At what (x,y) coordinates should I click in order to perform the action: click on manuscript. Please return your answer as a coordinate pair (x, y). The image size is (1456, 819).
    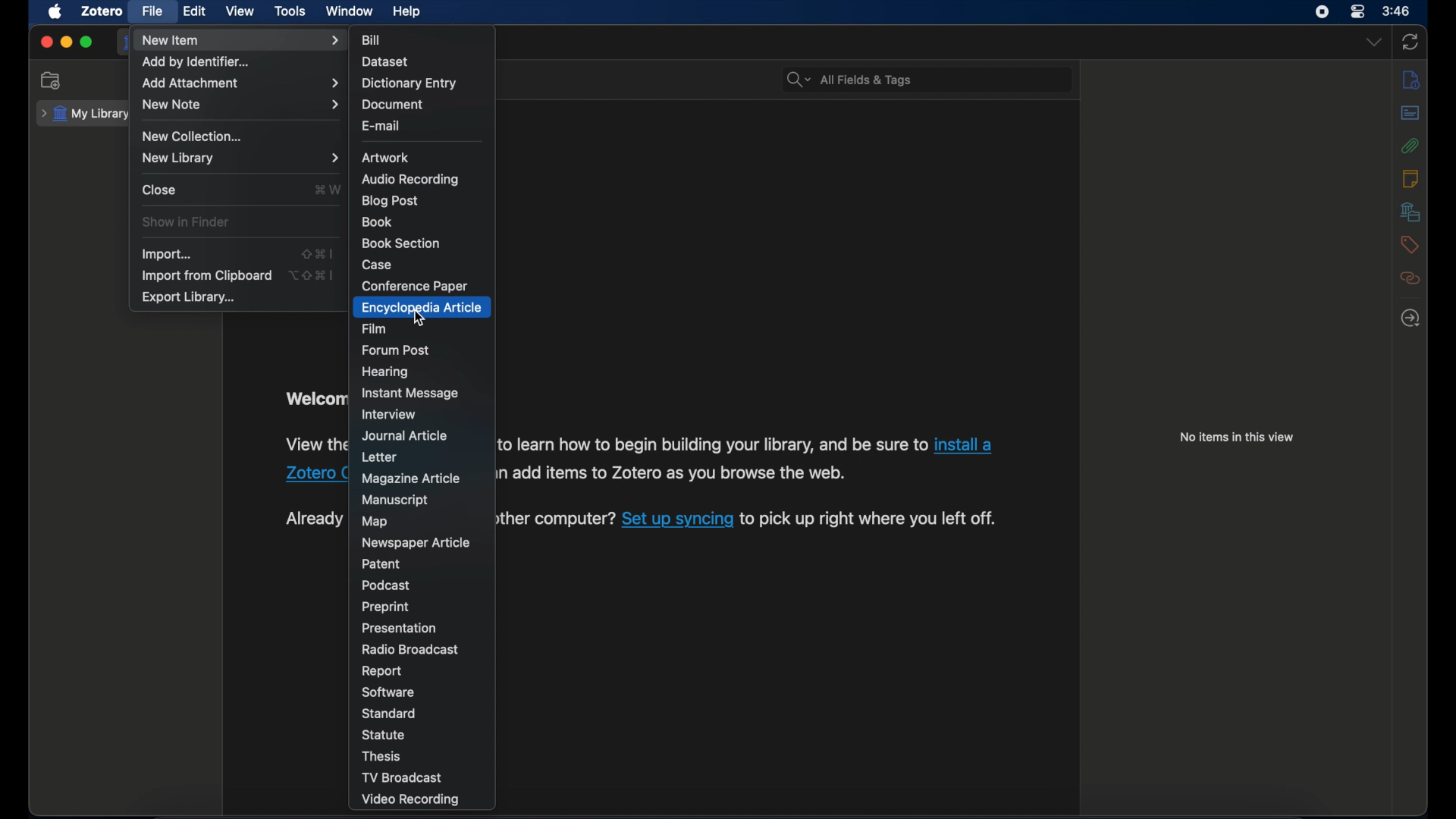
    Looking at the image, I should click on (395, 500).